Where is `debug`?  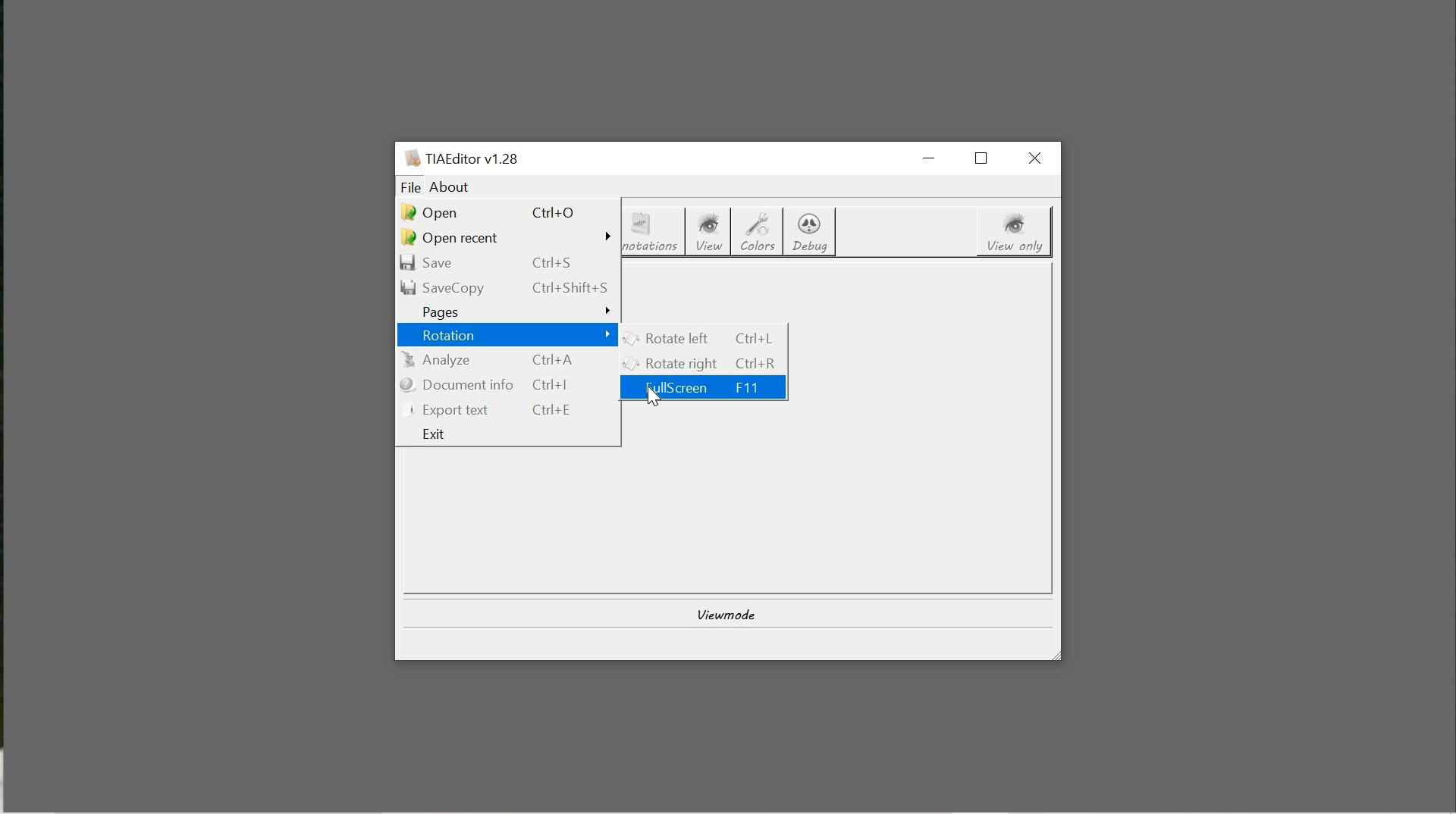 debug is located at coordinates (811, 232).